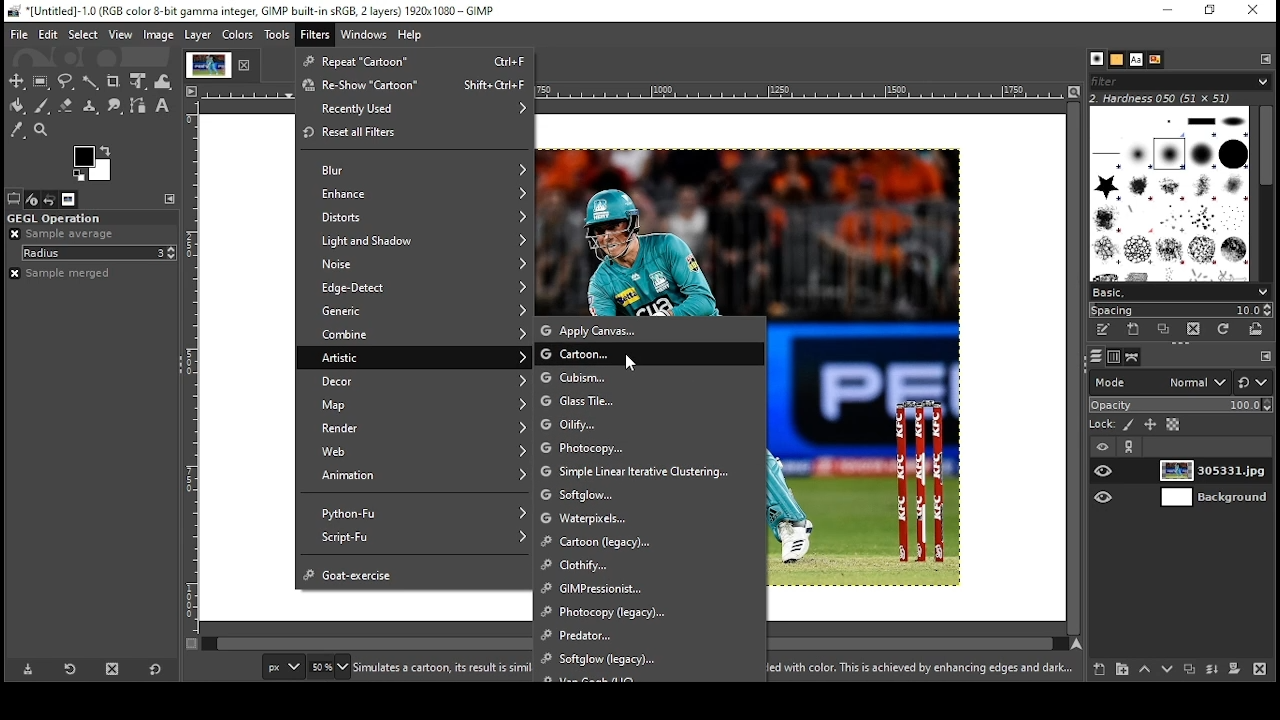  What do you see at coordinates (414, 356) in the screenshot?
I see `artistic` at bounding box center [414, 356].